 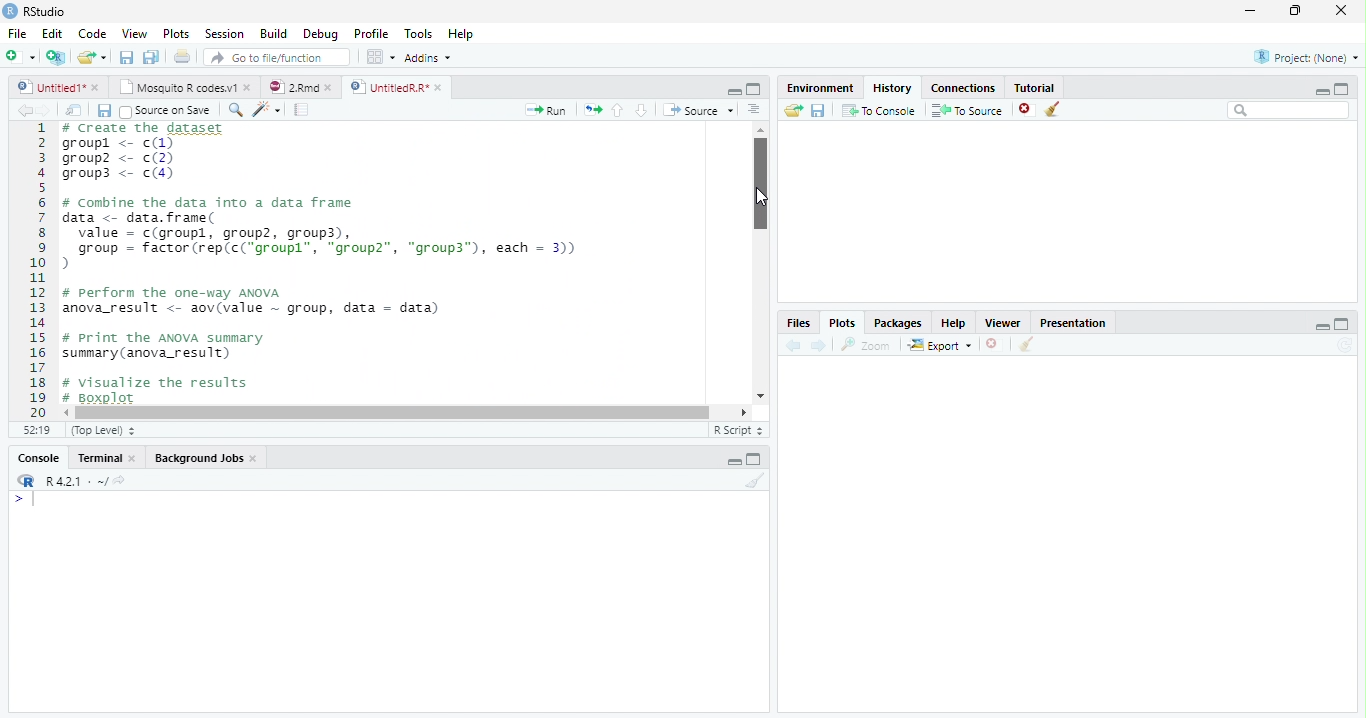 What do you see at coordinates (429, 59) in the screenshot?
I see `Addins` at bounding box center [429, 59].